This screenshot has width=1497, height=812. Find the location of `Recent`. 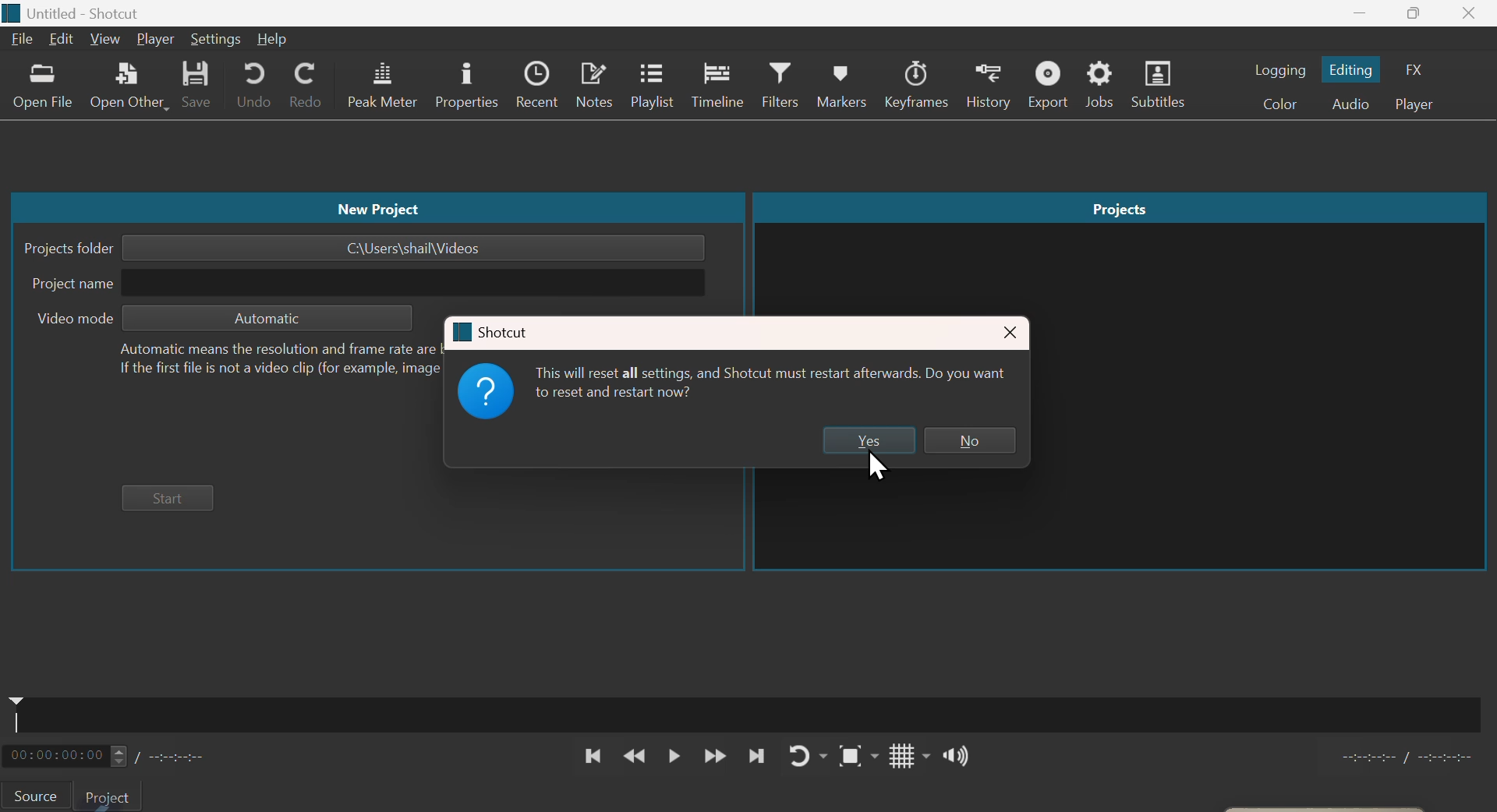

Recent is located at coordinates (537, 86).